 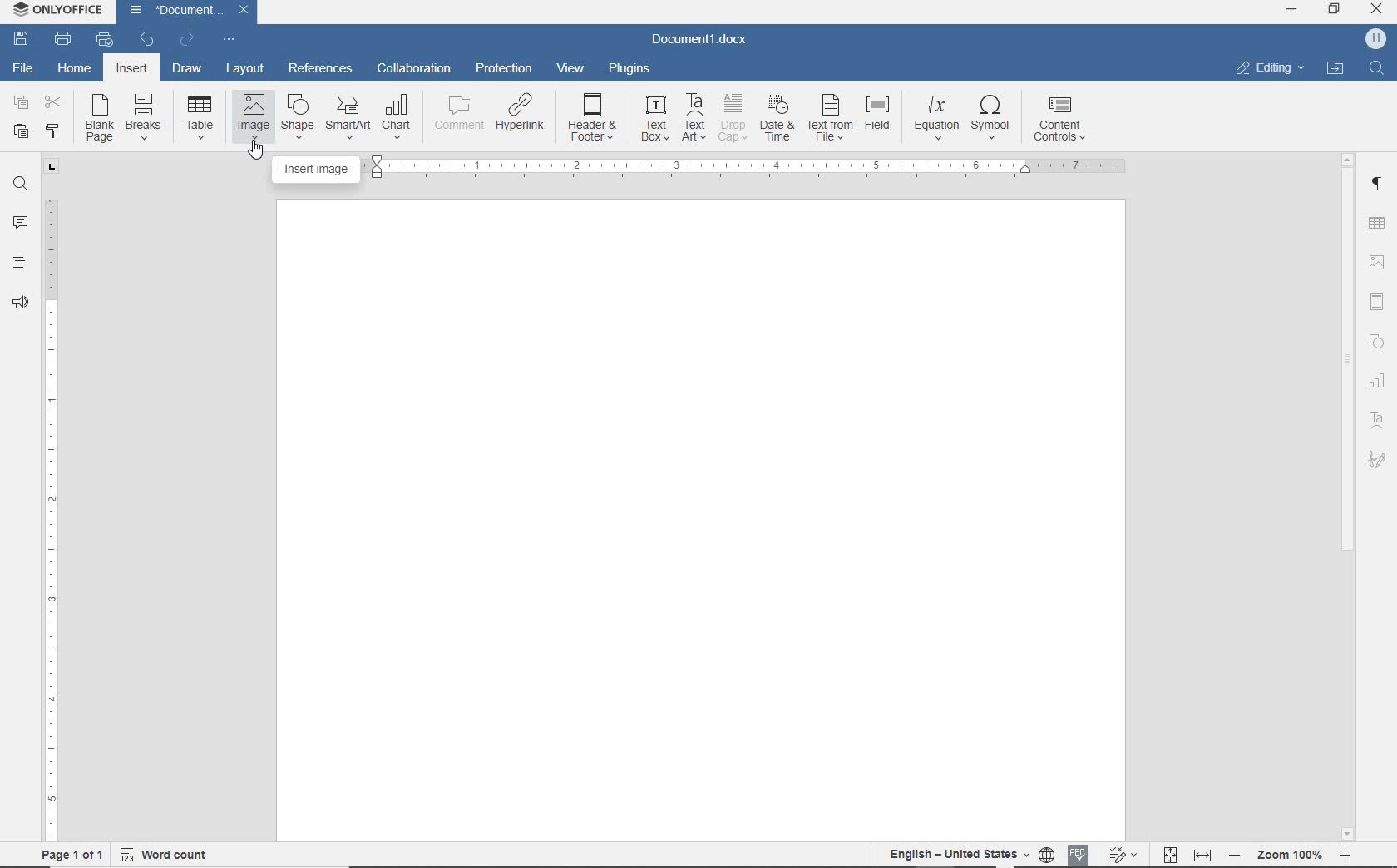 I want to click on image, so click(x=253, y=112).